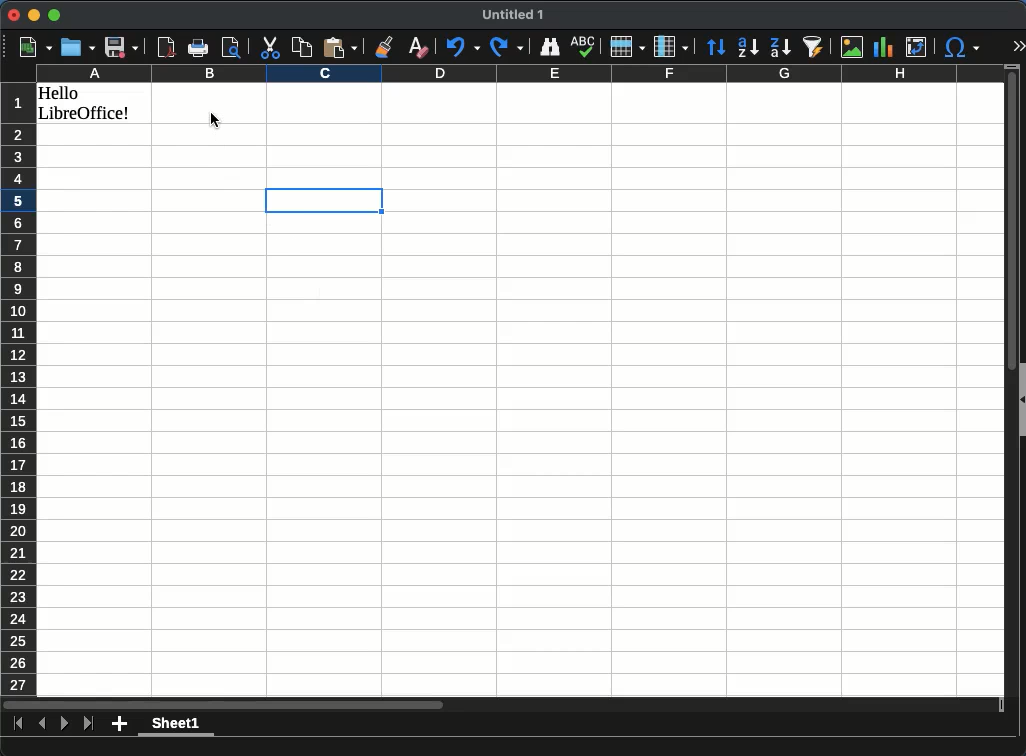  I want to click on Maximize, so click(54, 16).